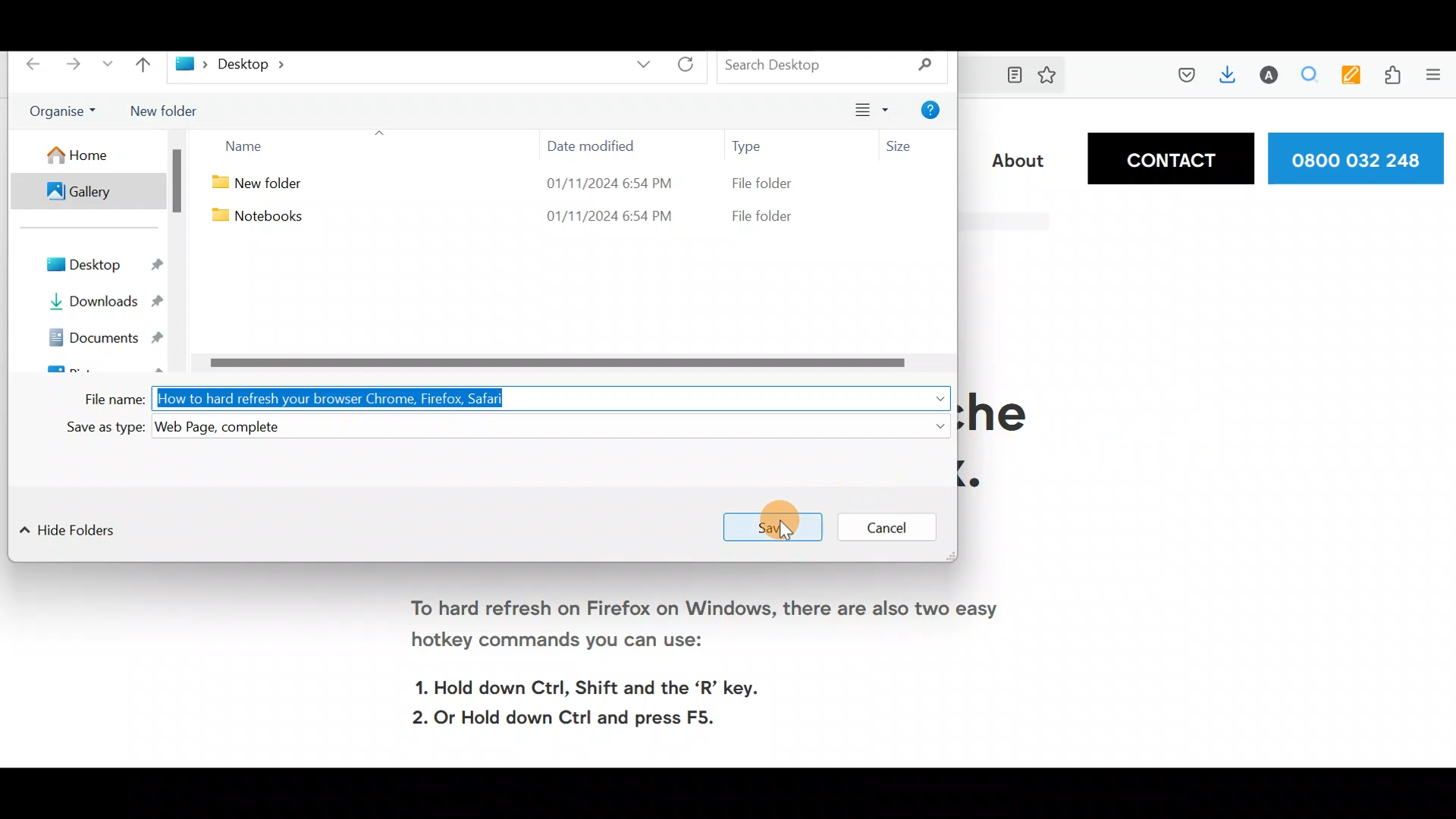  I want to click on Toggle reader view, so click(1018, 74).